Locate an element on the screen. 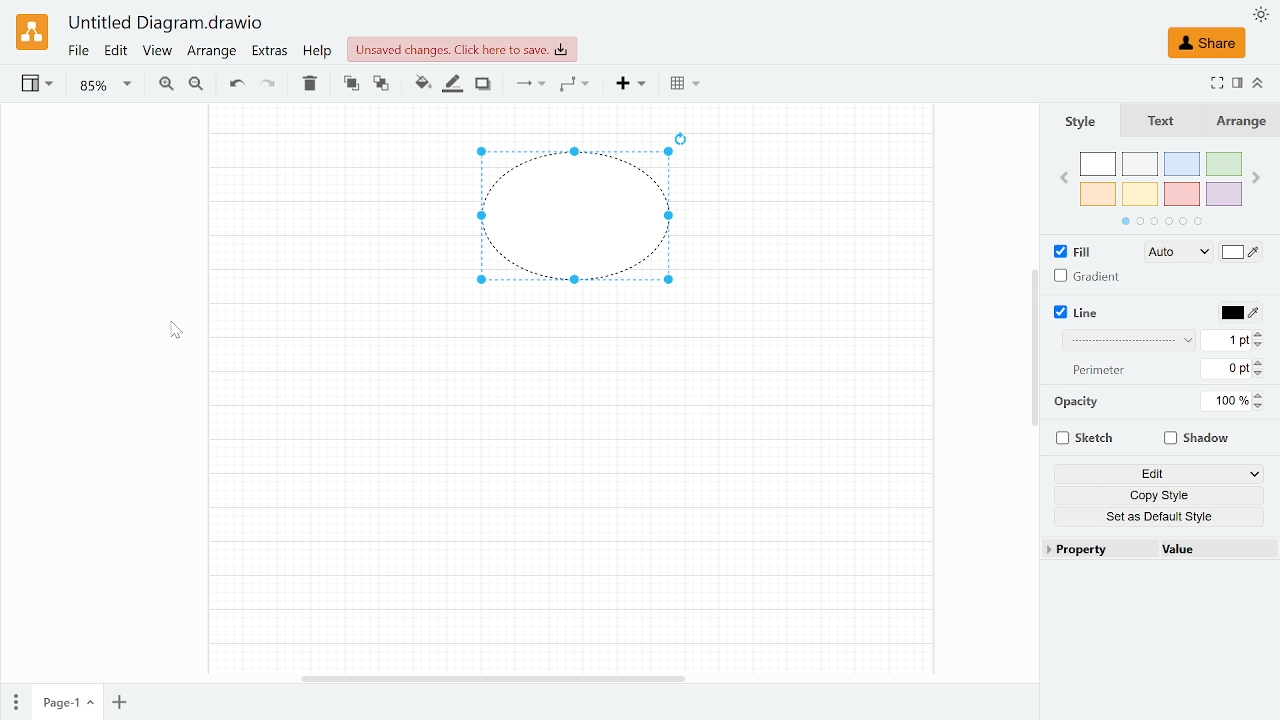 The image size is (1280, 720). insert is located at coordinates (626, 85).